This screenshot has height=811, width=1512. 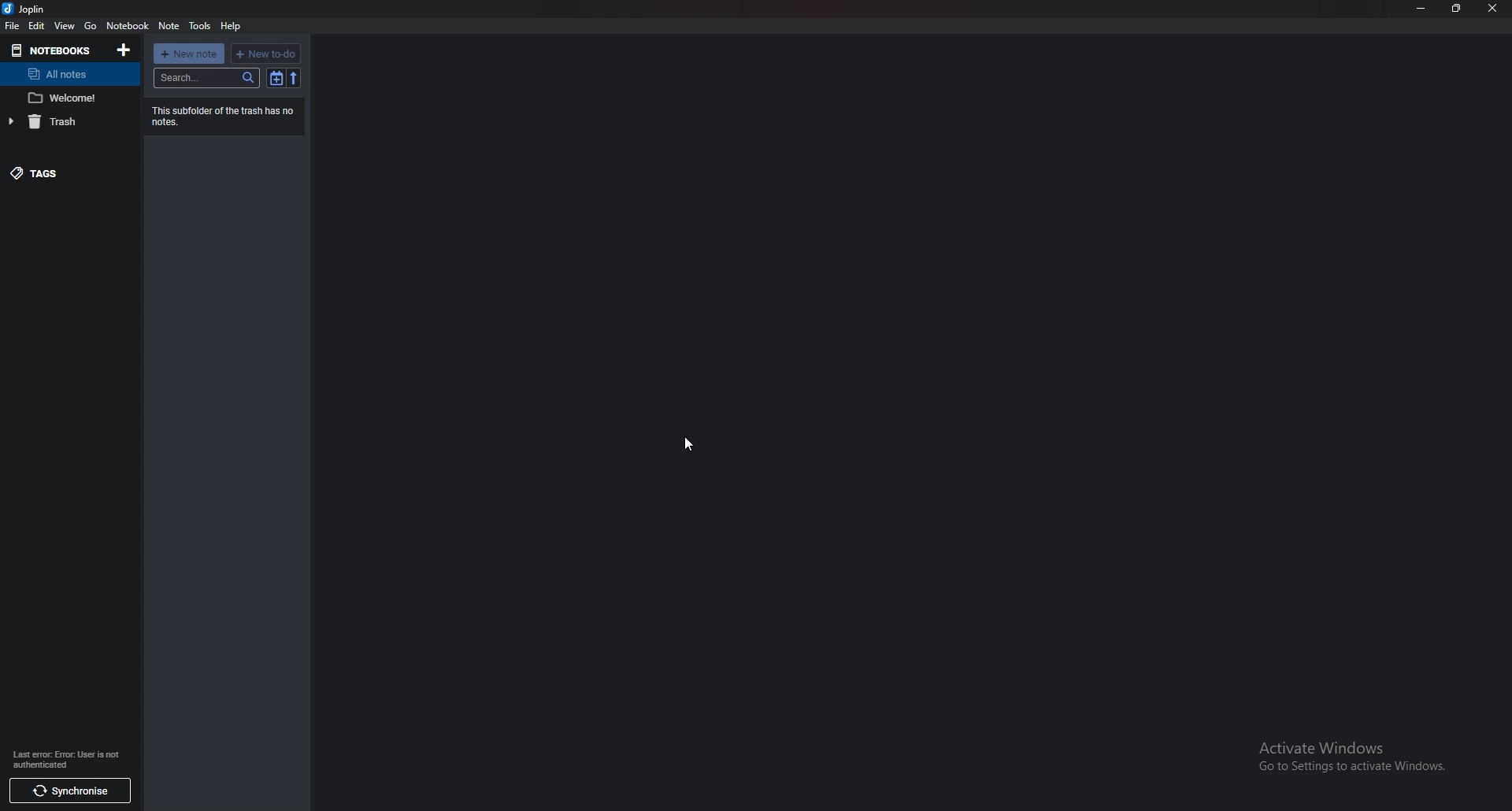 I want to click on edit, so click(x=37, y=26).